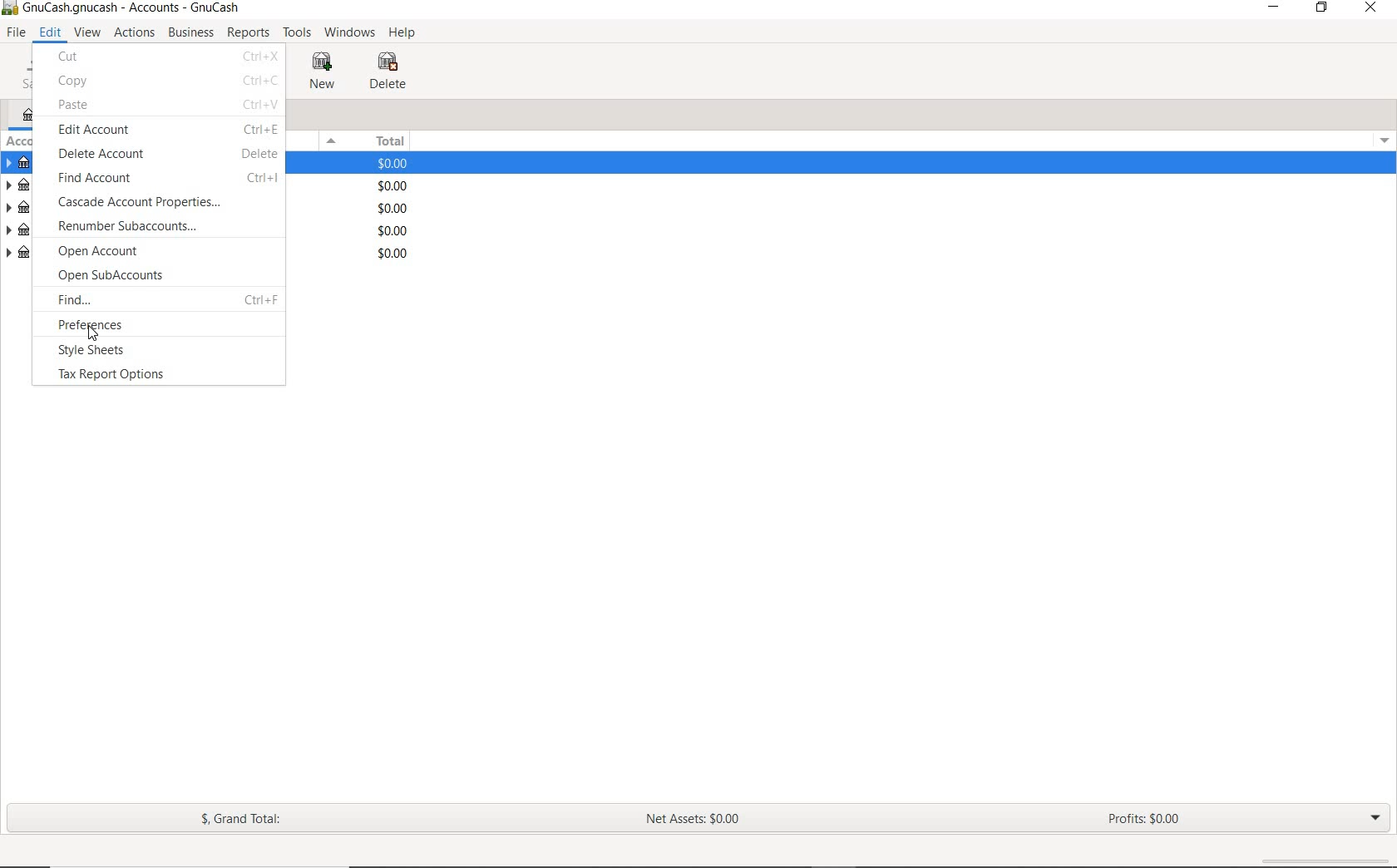 This screenshot has height=868, width=1397. What do you see at coordinates (189, 32) in the screenshot?
I see `BUSINESS` at bounding box center [189, 32].